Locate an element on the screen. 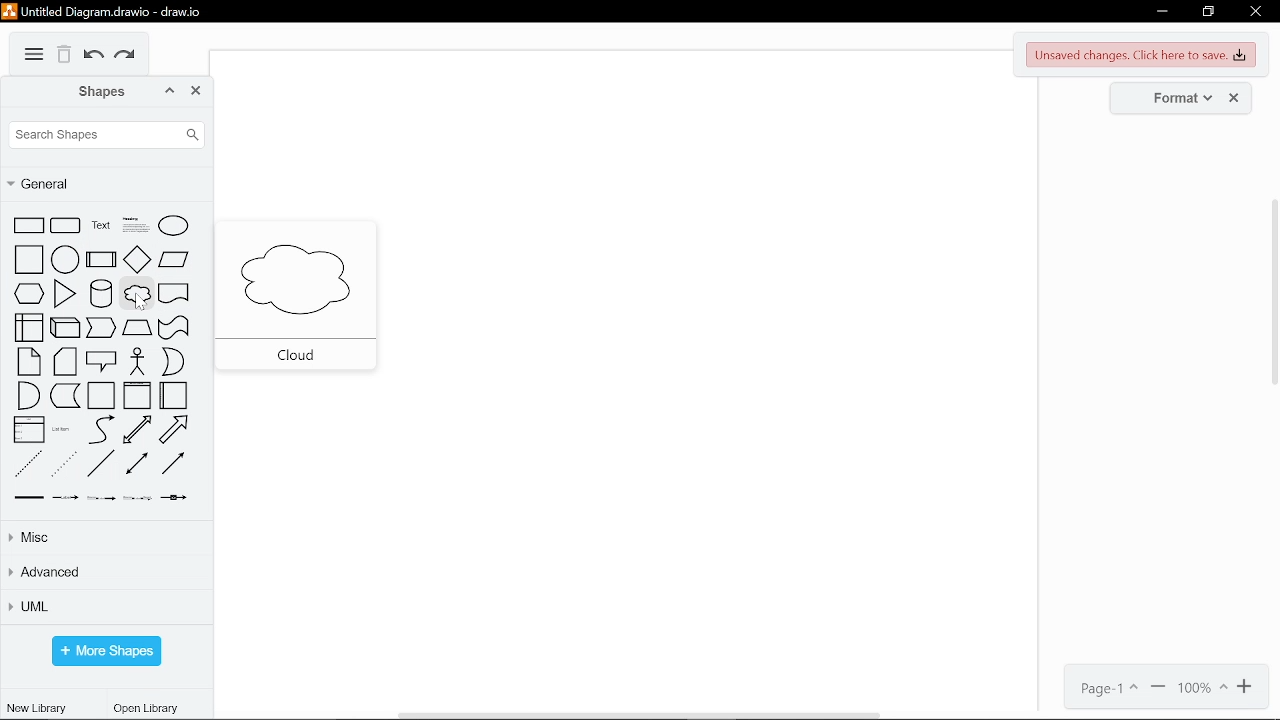  dotted line is located at coordinates (64, 464).